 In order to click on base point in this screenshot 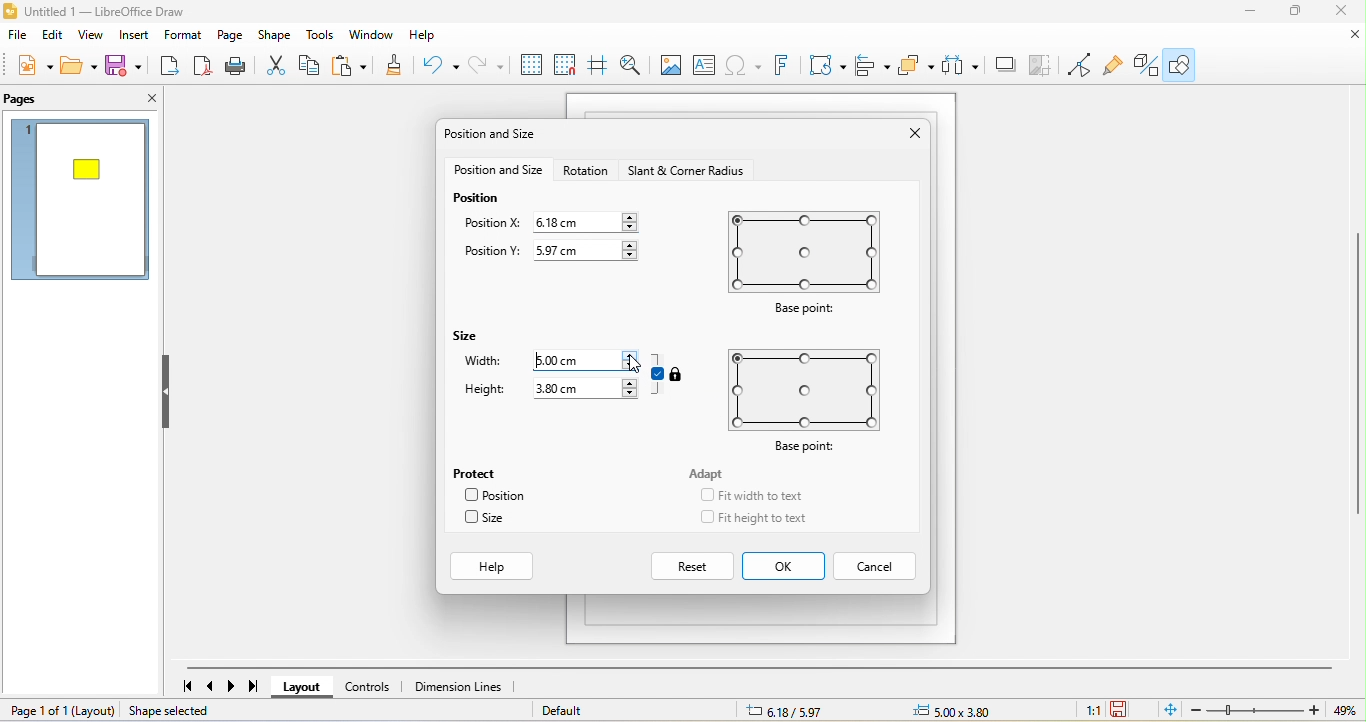, I will do `click(815, 262)`.